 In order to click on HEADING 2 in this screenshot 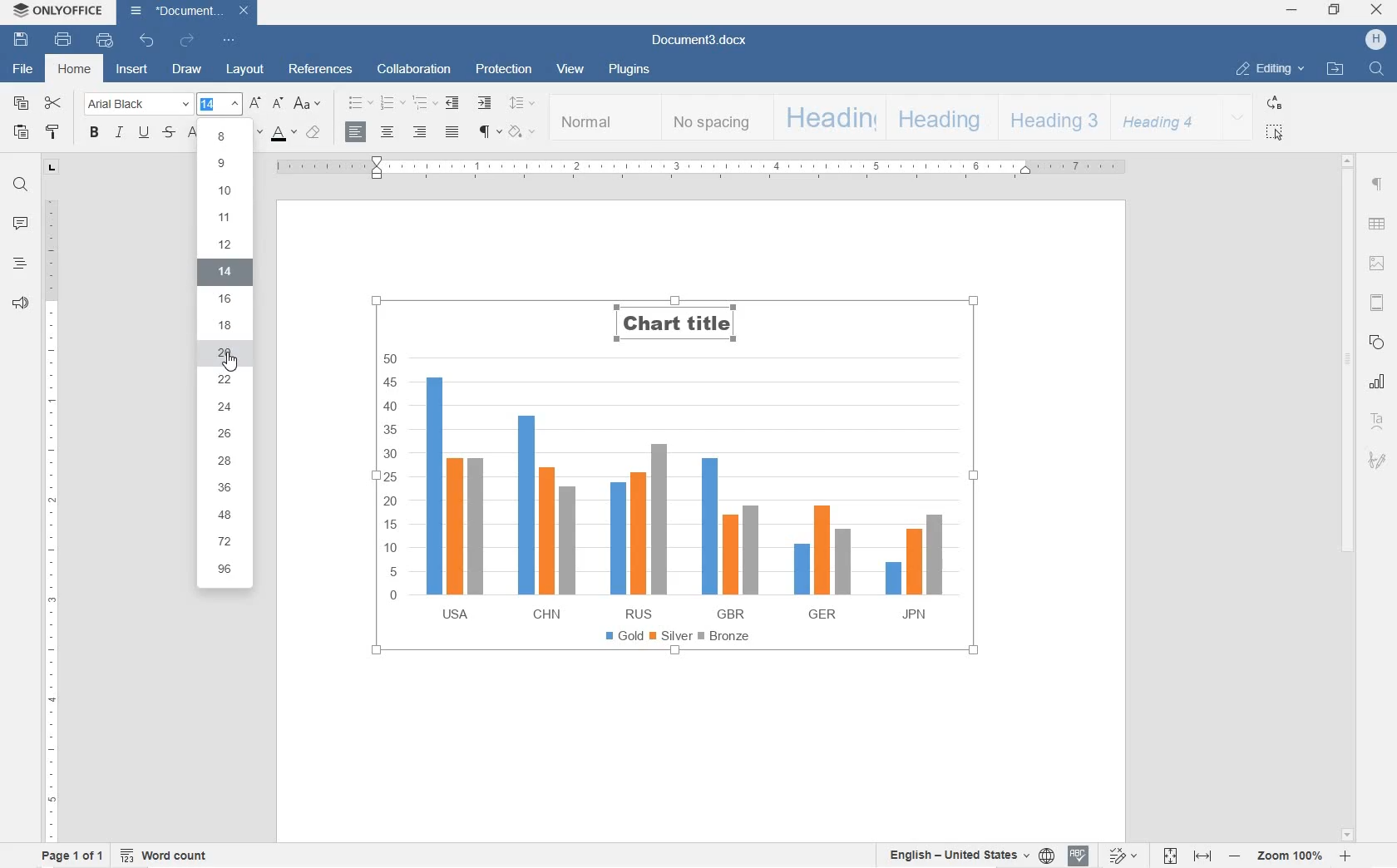, I will do `click(939, 118)`.